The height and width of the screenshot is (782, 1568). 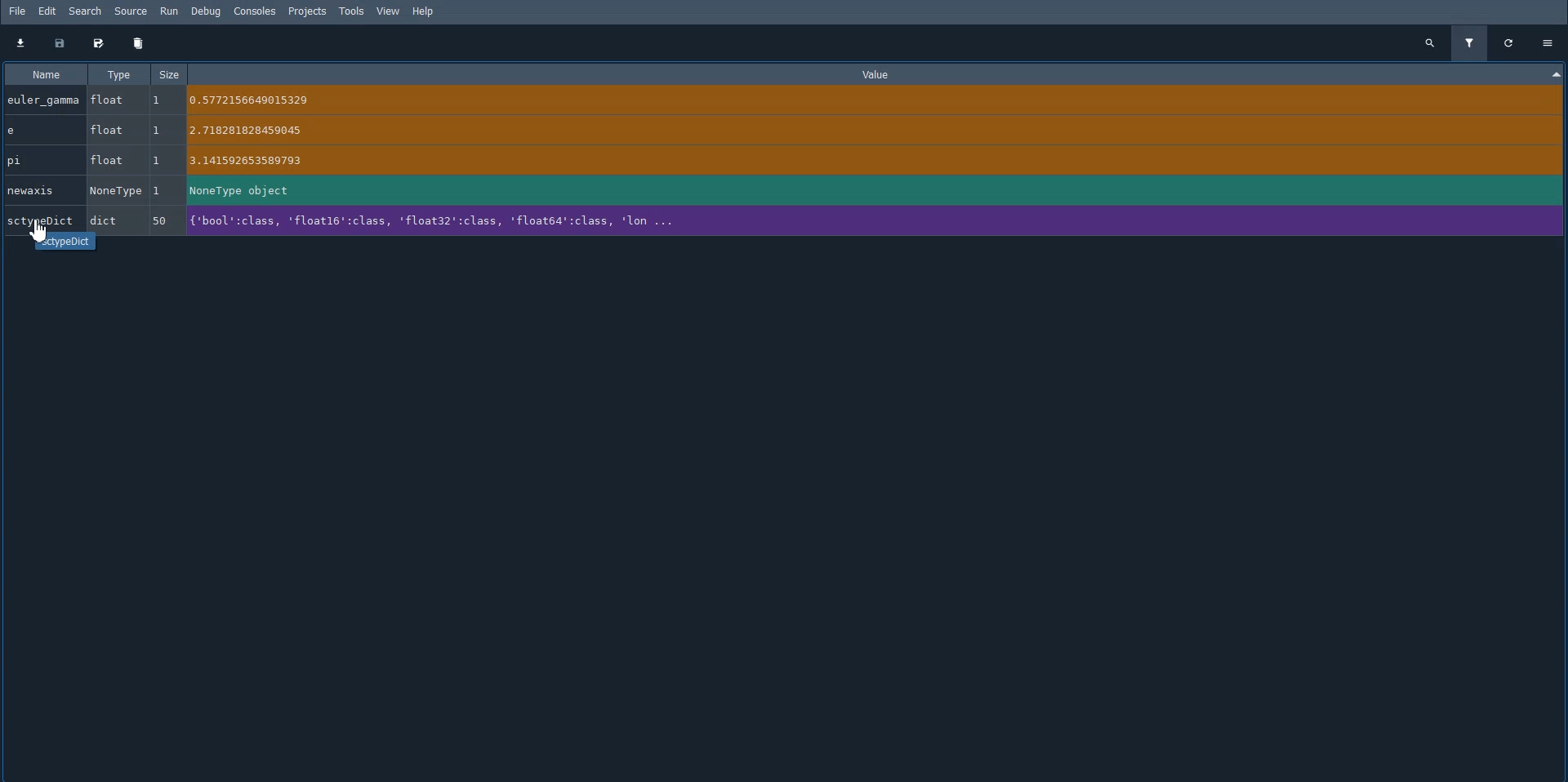 What do you see at coordinates (1548, 42) in the screenshot?
I see `Options` at bounding box center [1548, 42].